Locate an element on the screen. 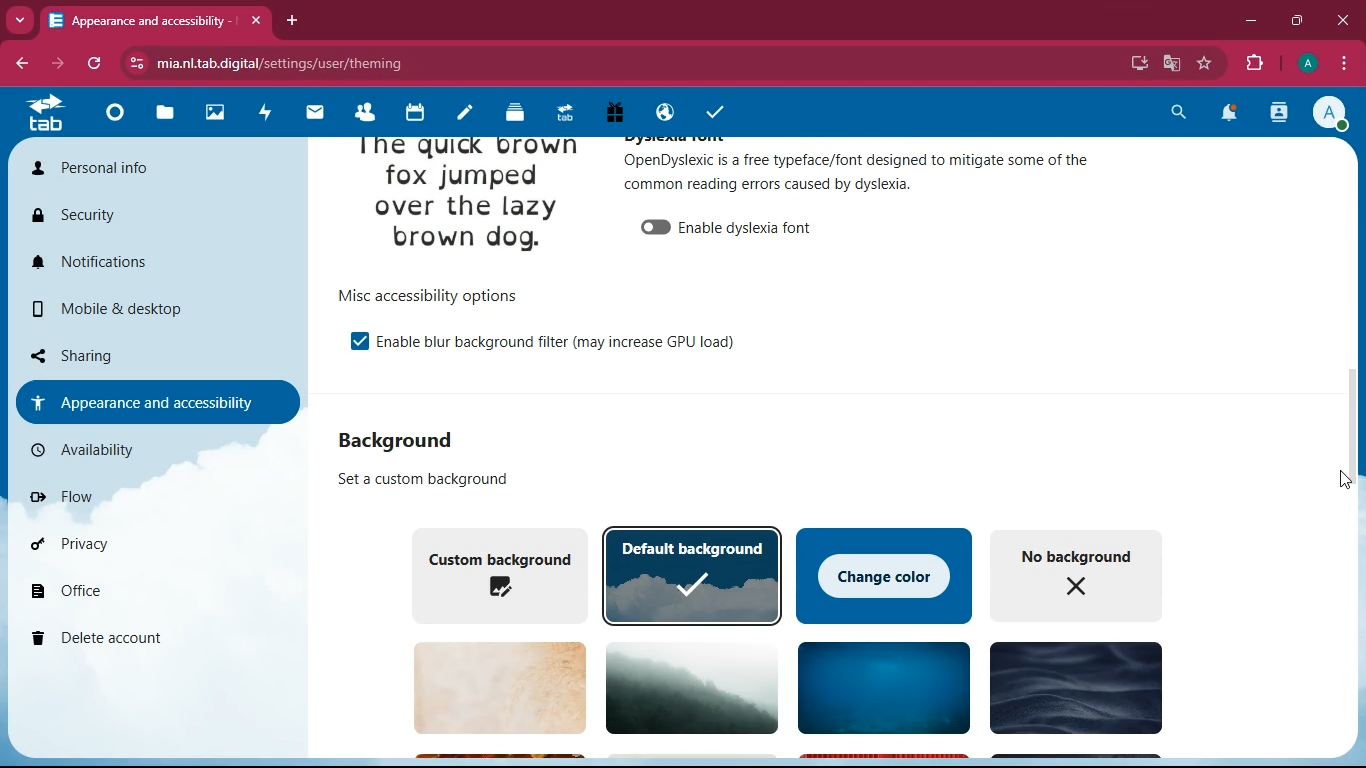 This screenshot has width=1366, height=768. options is located at coordinates (426, 295).